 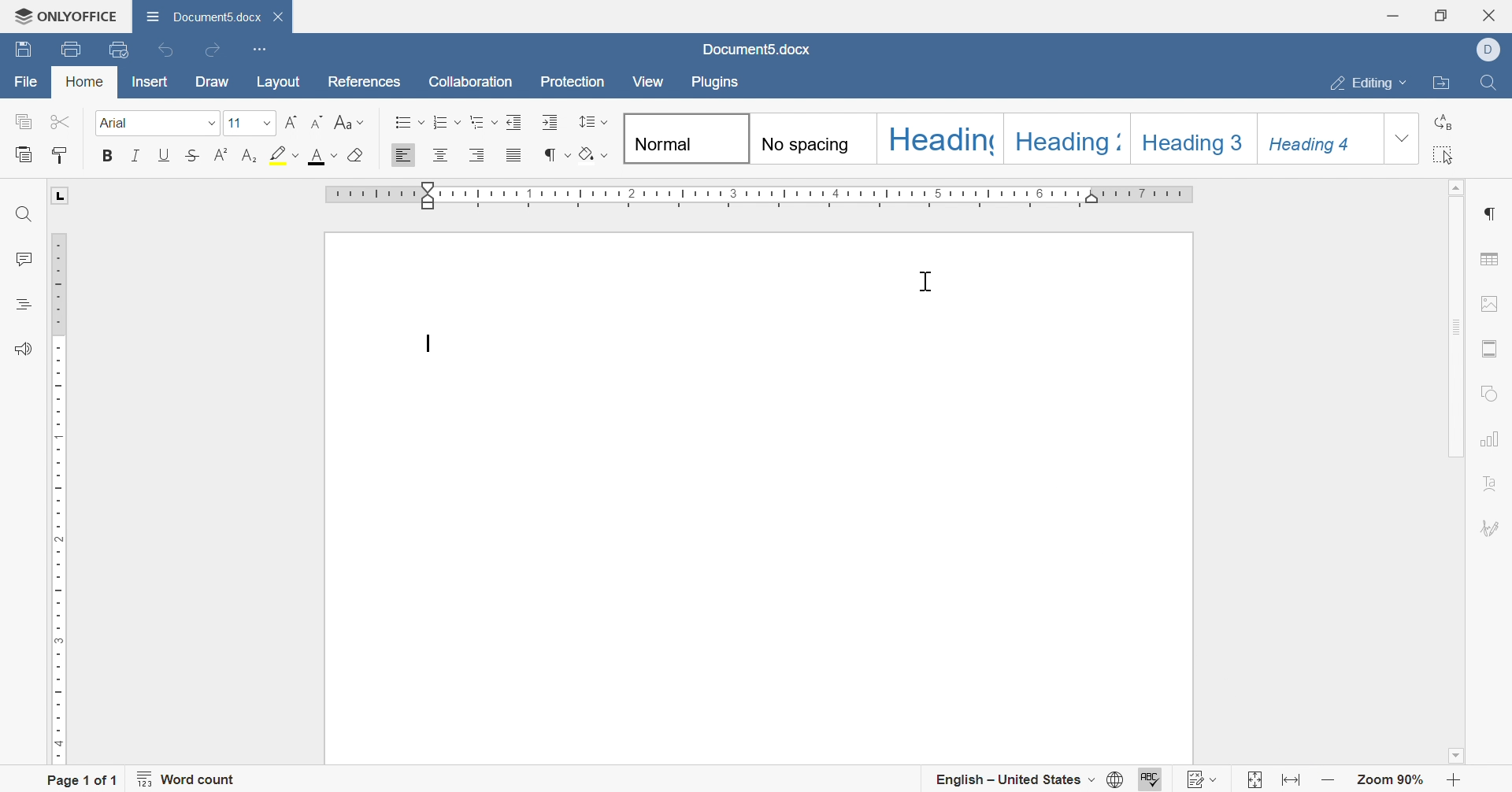 I want to click on justified, so click(x=513, y=155).